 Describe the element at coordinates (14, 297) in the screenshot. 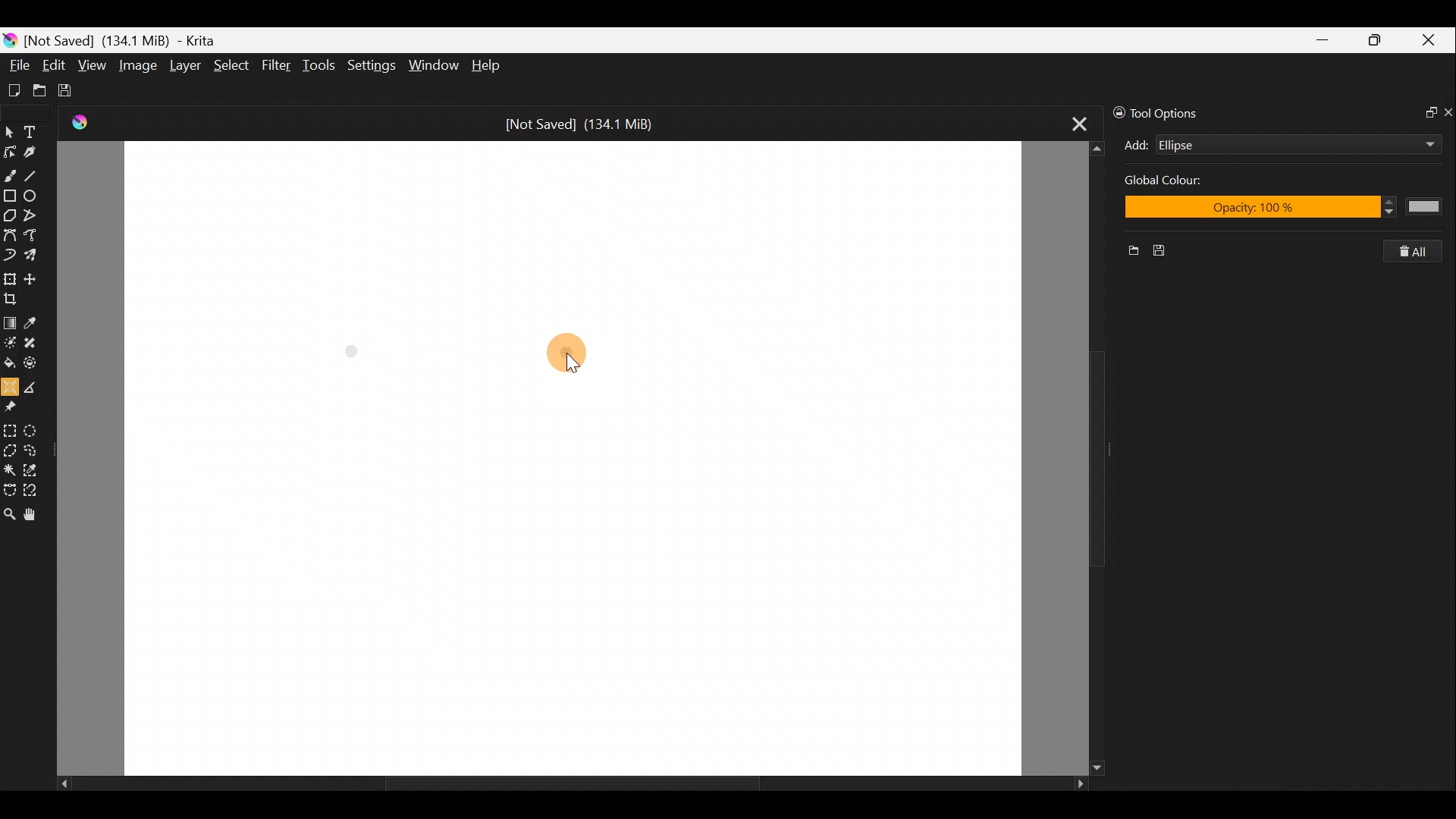

I see `Crop an image` at that location.